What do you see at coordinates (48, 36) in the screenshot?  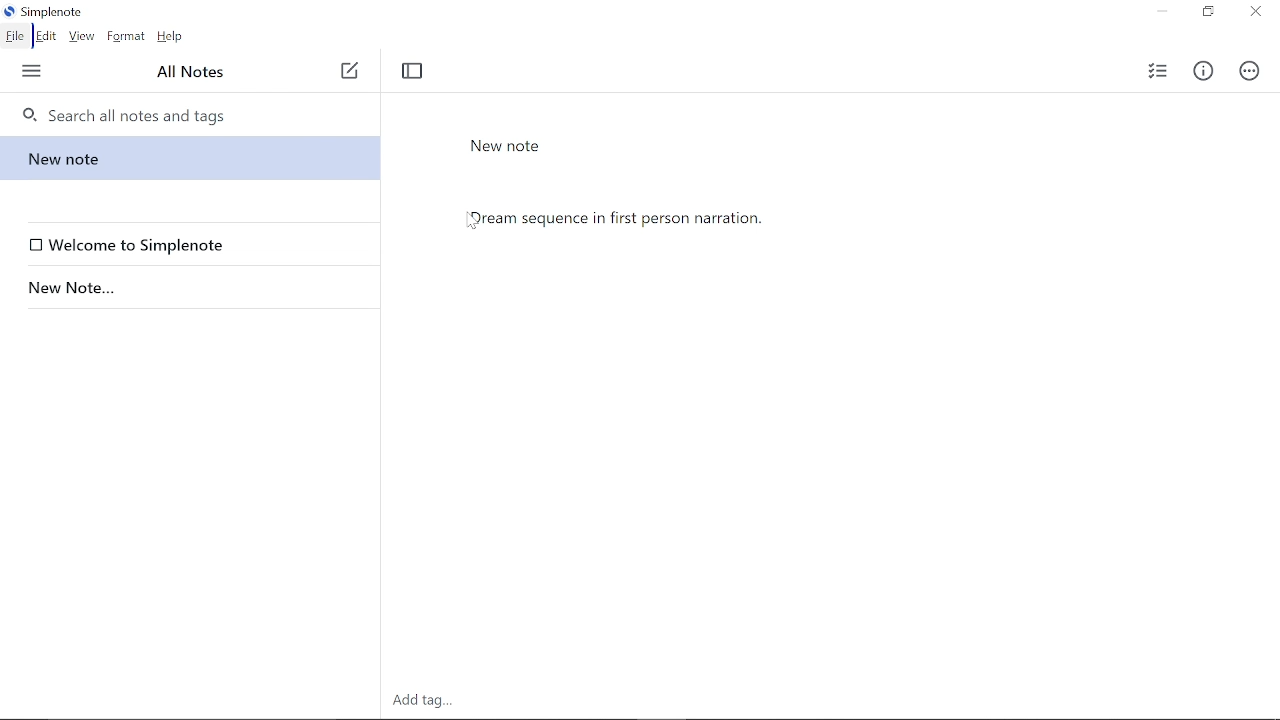 I see `Edit` at bounding box center [48, 36].